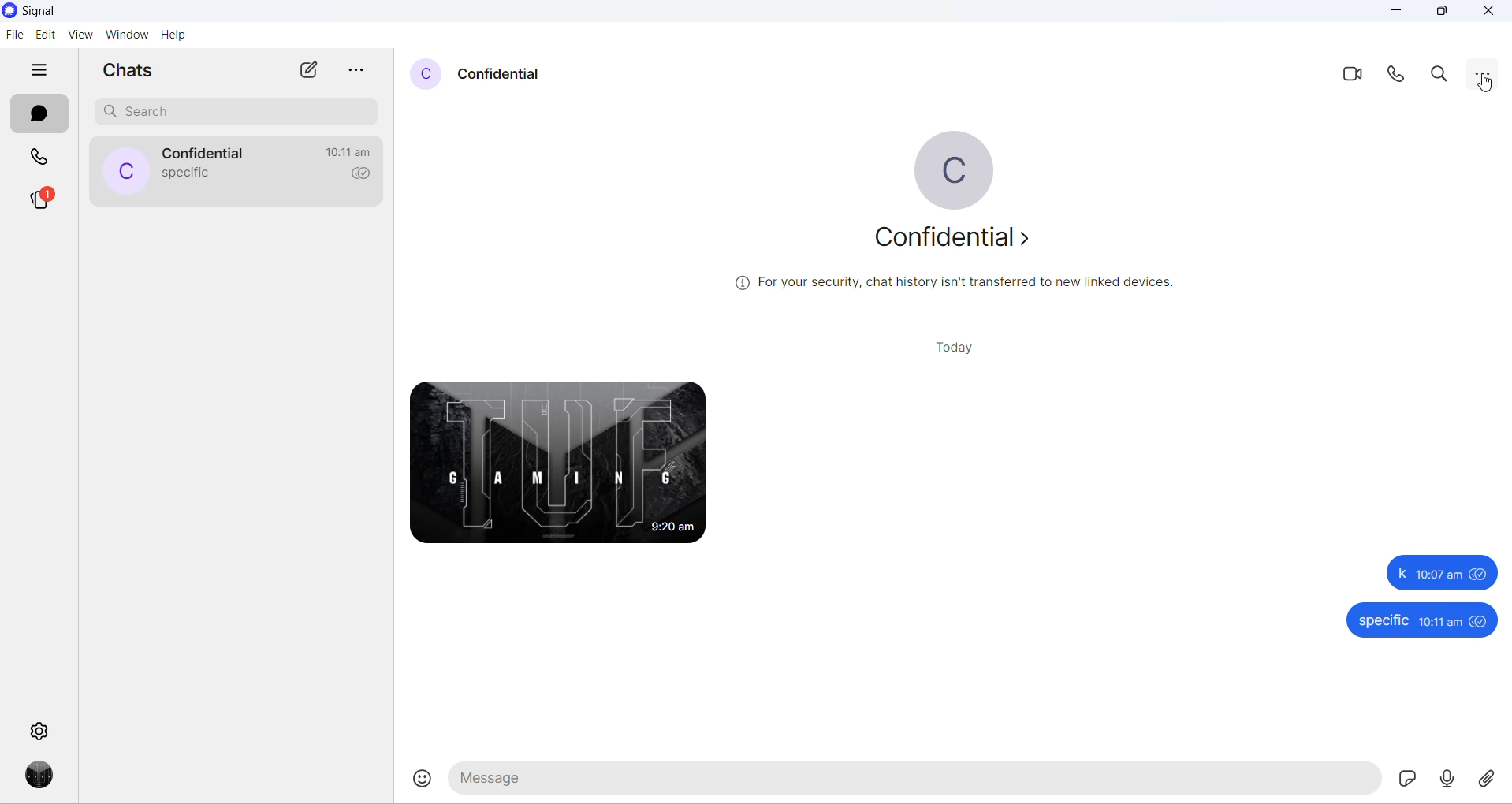 Image resolution: width=1512 pixels, height=804 pixels. What do you see at coordinates (183, 175) in the screenshot?
I see `last message` at bounding box center [183, 175].